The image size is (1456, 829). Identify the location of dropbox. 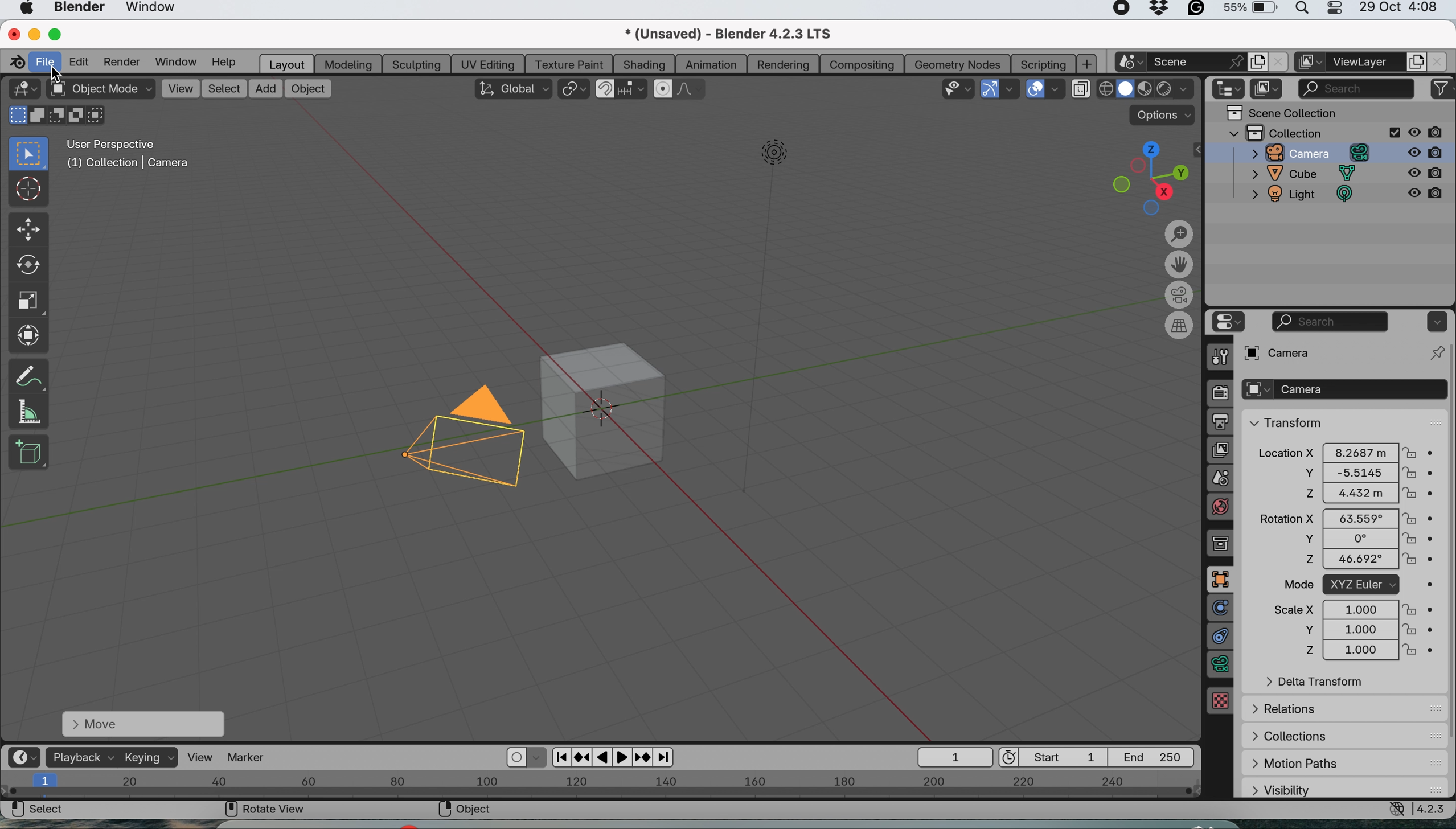
(1160, 10).